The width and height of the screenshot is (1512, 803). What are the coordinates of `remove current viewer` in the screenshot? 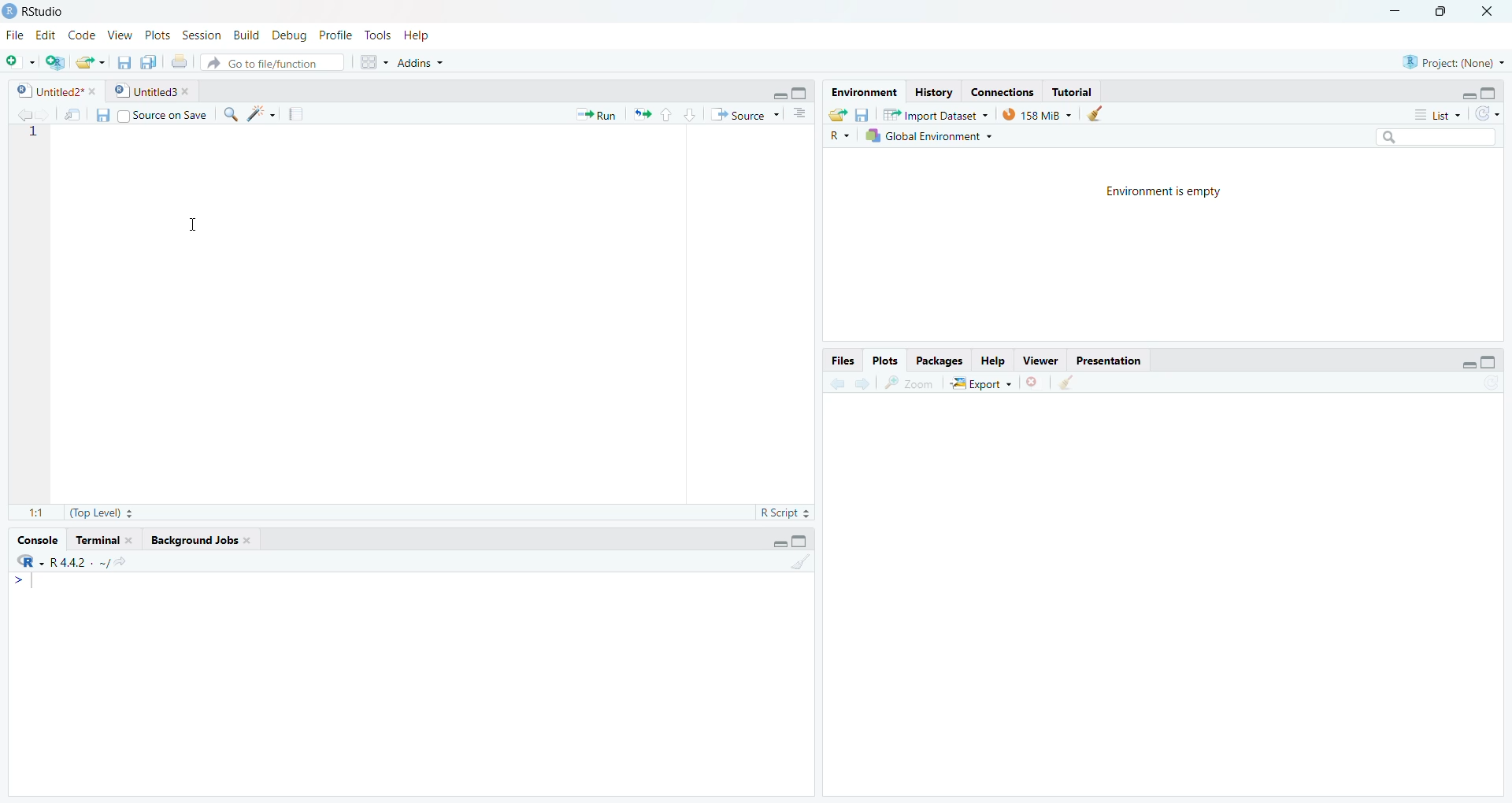 It's located at (1033, 382).